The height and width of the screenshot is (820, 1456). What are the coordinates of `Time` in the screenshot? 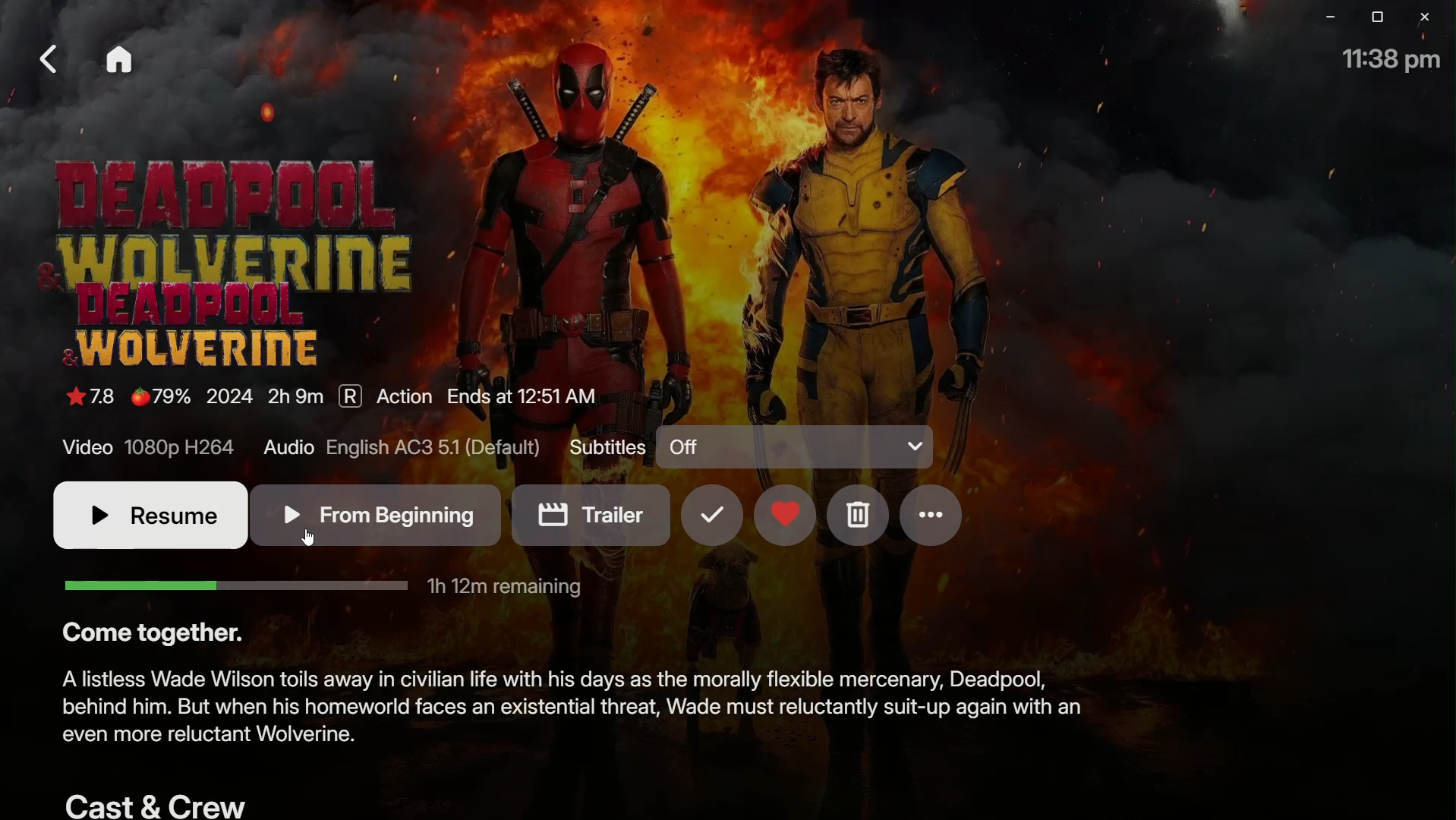 It's located at (1388, 58).